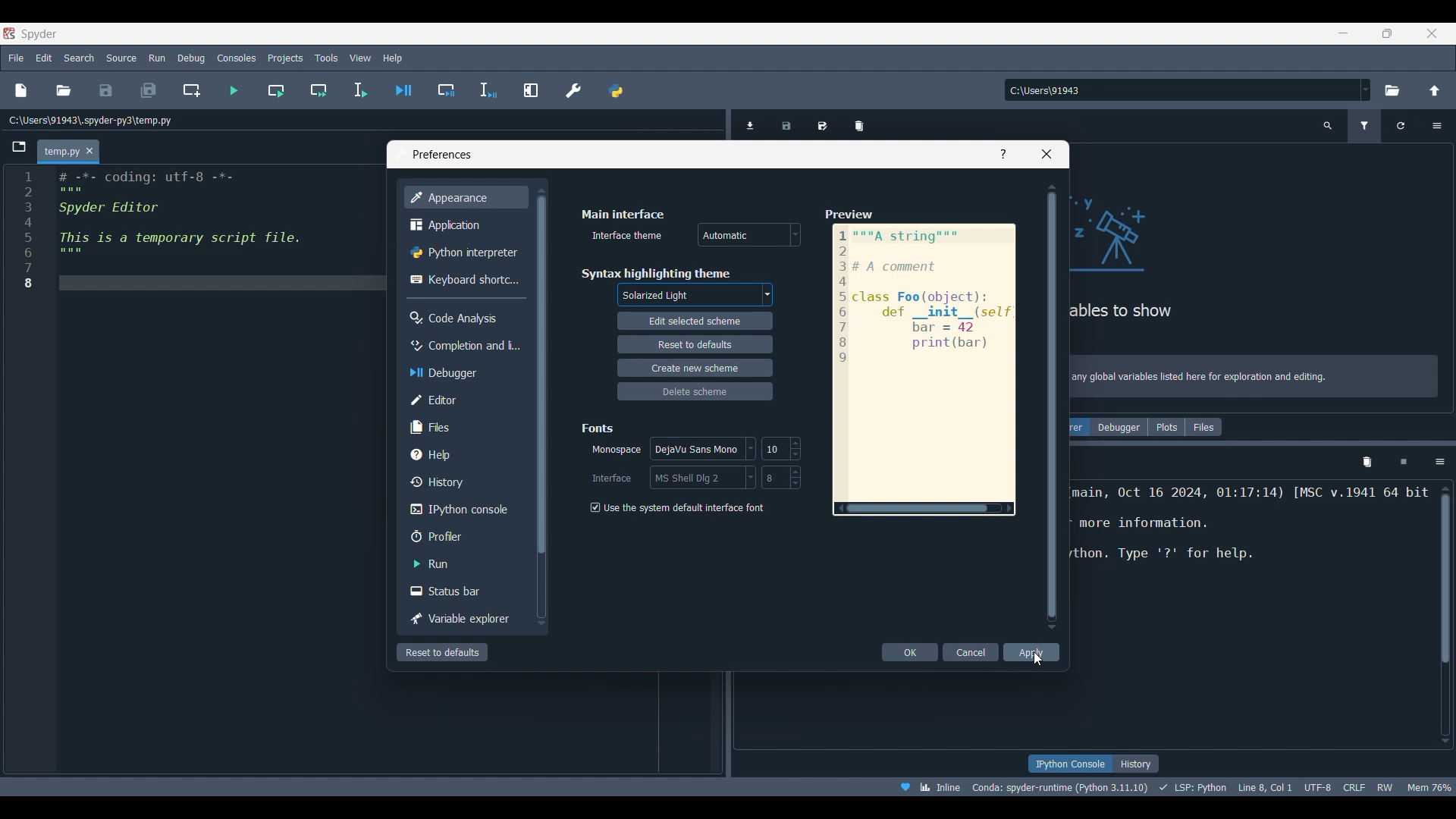 This screenshot has width=1456, height=819. Describe the element at coordinates (615, 88) in the screenshot. I see `PYTHONPATH manager` at that location.